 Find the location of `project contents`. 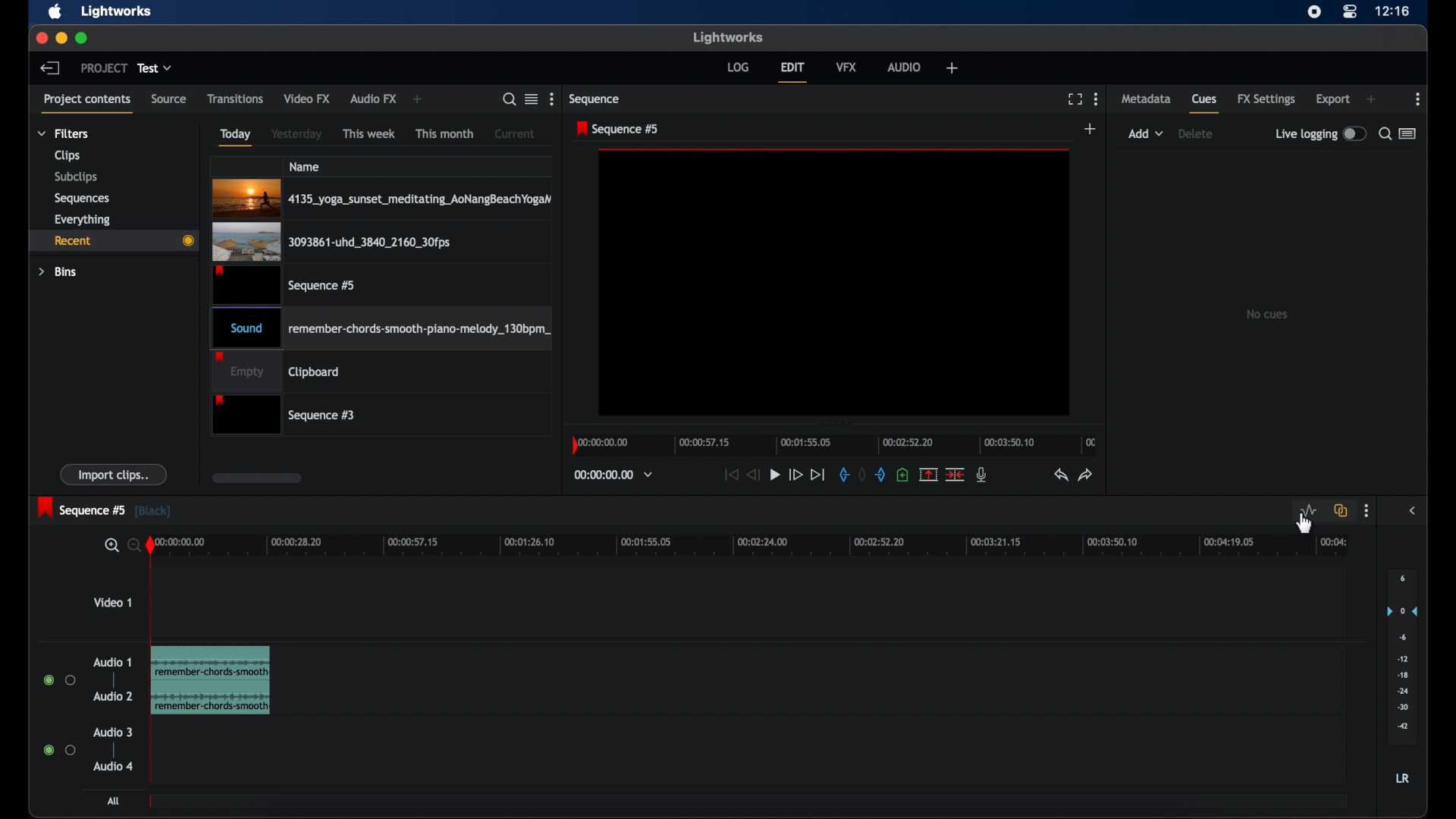

project contents is located at coordinates (89, 104).